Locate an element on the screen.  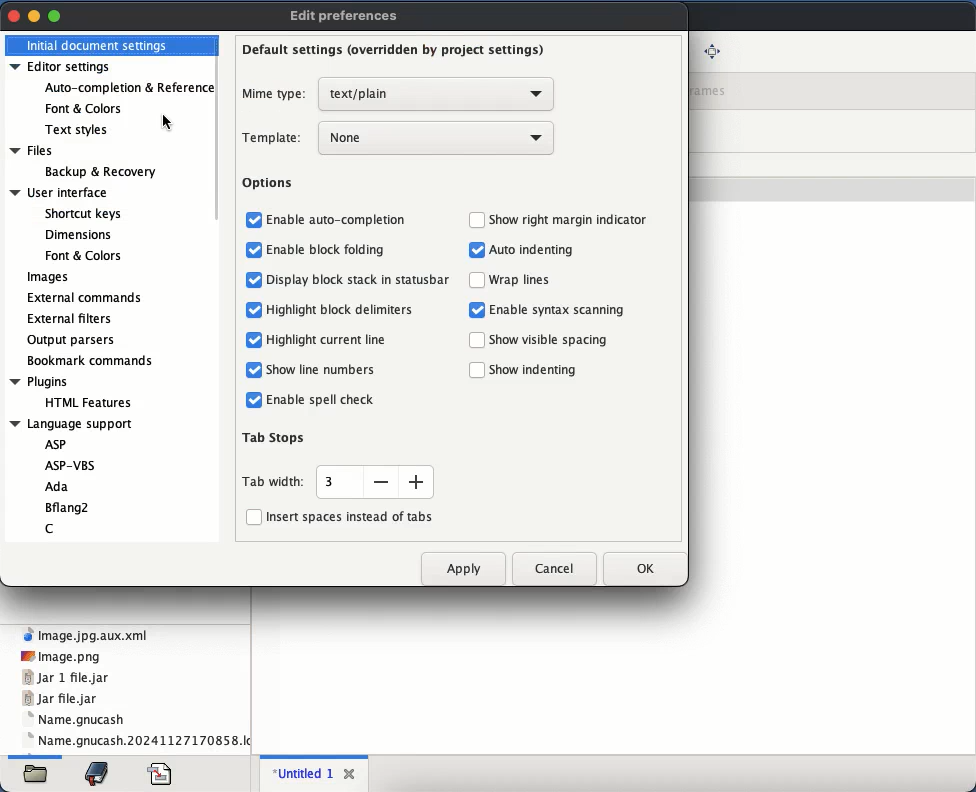
Highlight current line is located at coordinates (329, 342).